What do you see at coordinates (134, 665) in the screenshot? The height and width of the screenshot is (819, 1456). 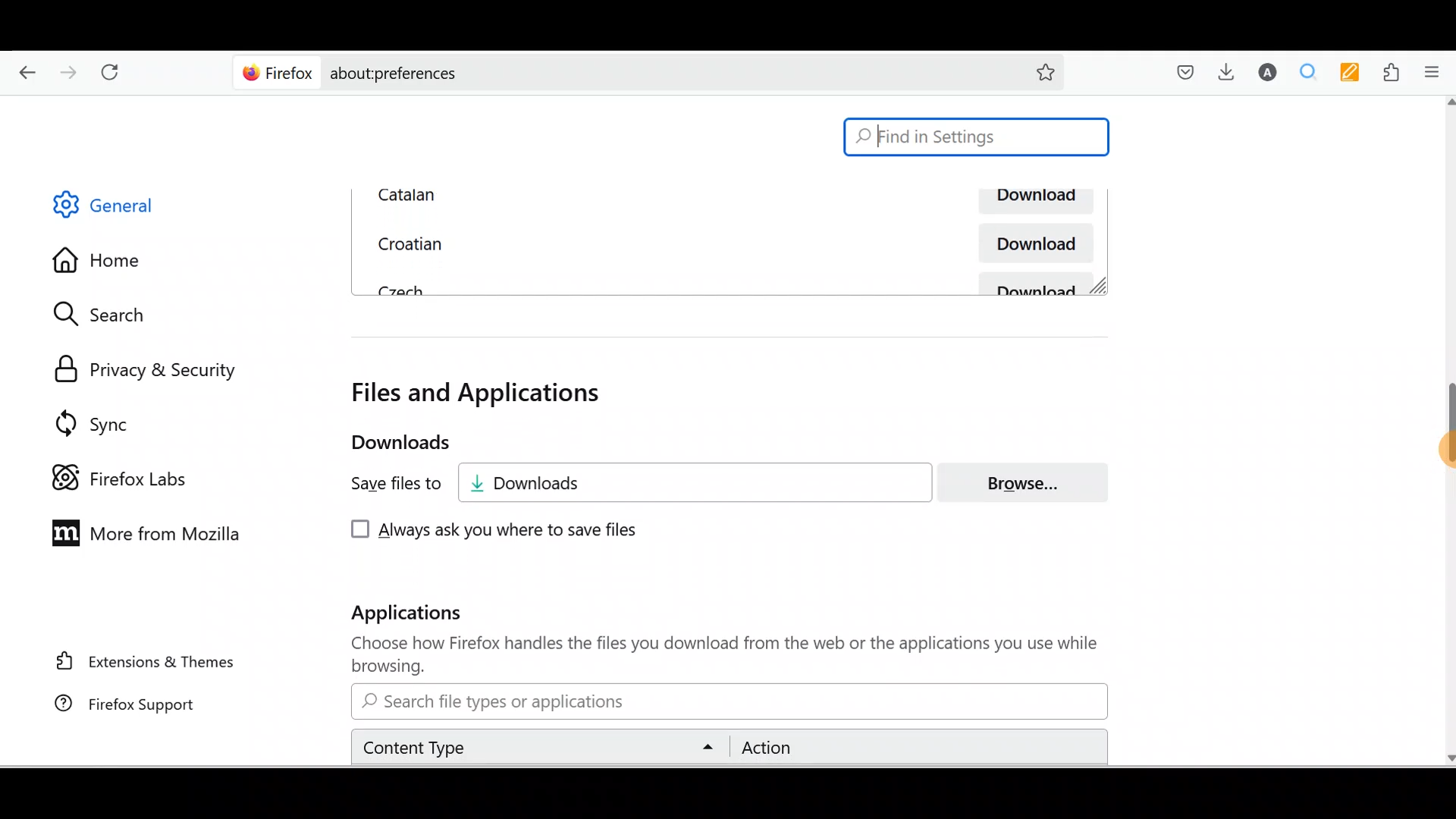 I see `Extension & themes` at bounding box center [134, 665].